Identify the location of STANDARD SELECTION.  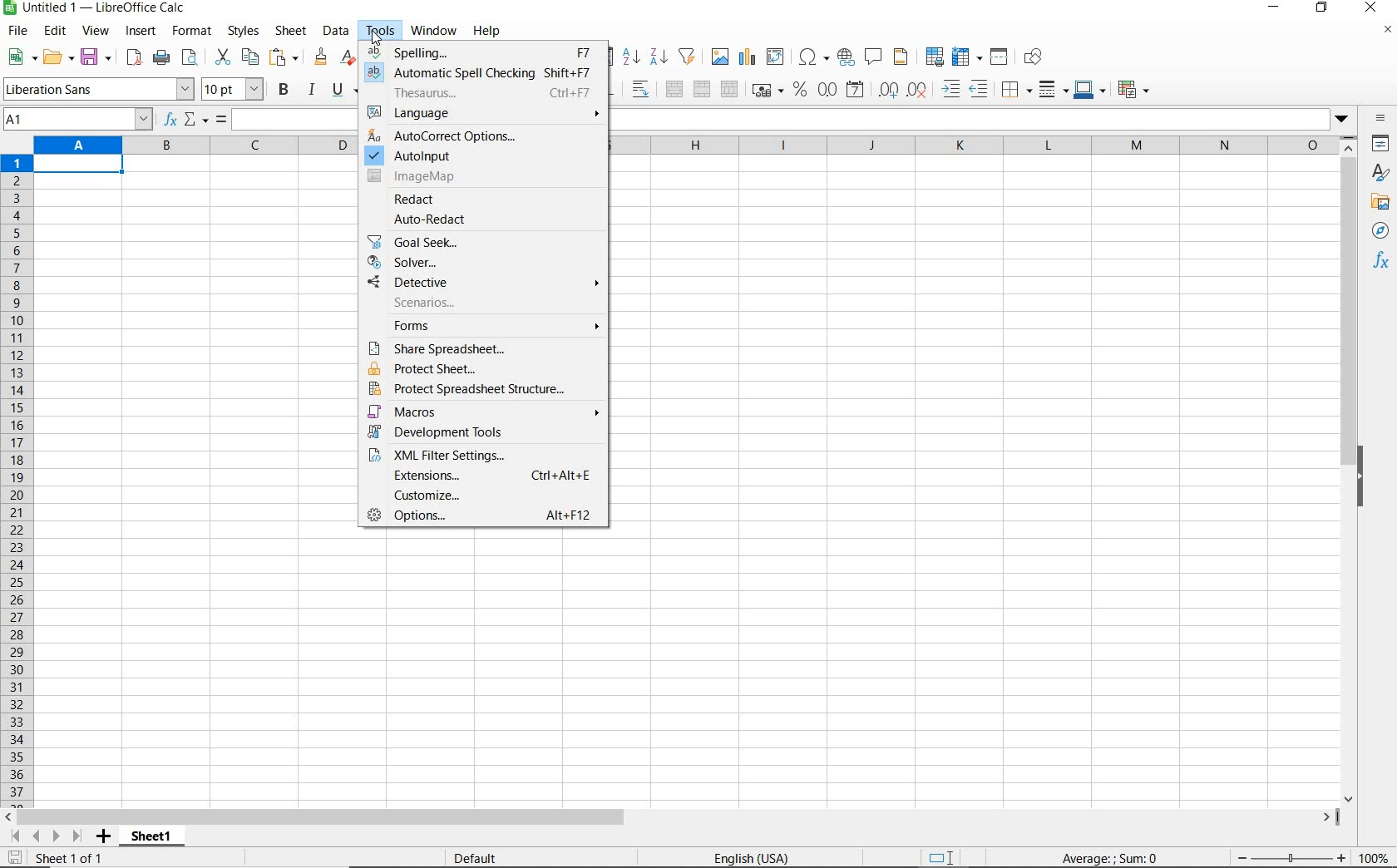
(944, 857).